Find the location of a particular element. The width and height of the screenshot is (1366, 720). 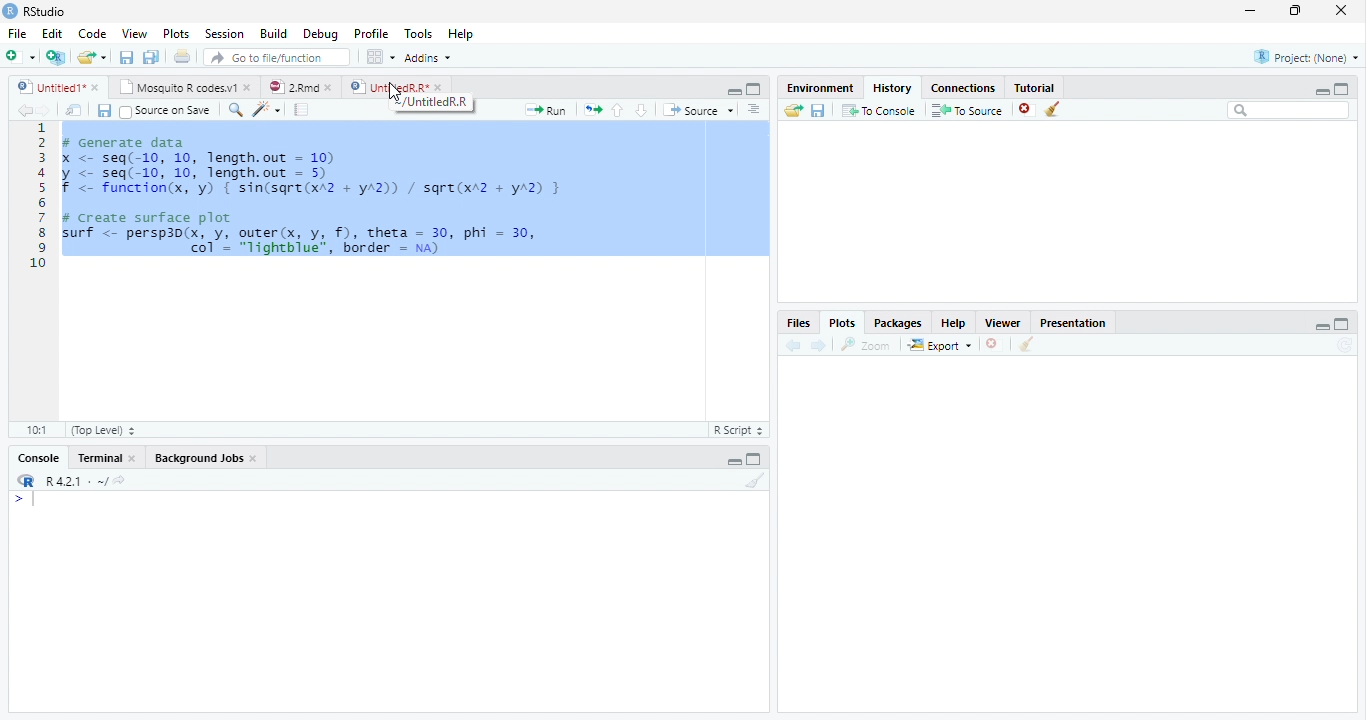

View is located at coordinates (134, 33).